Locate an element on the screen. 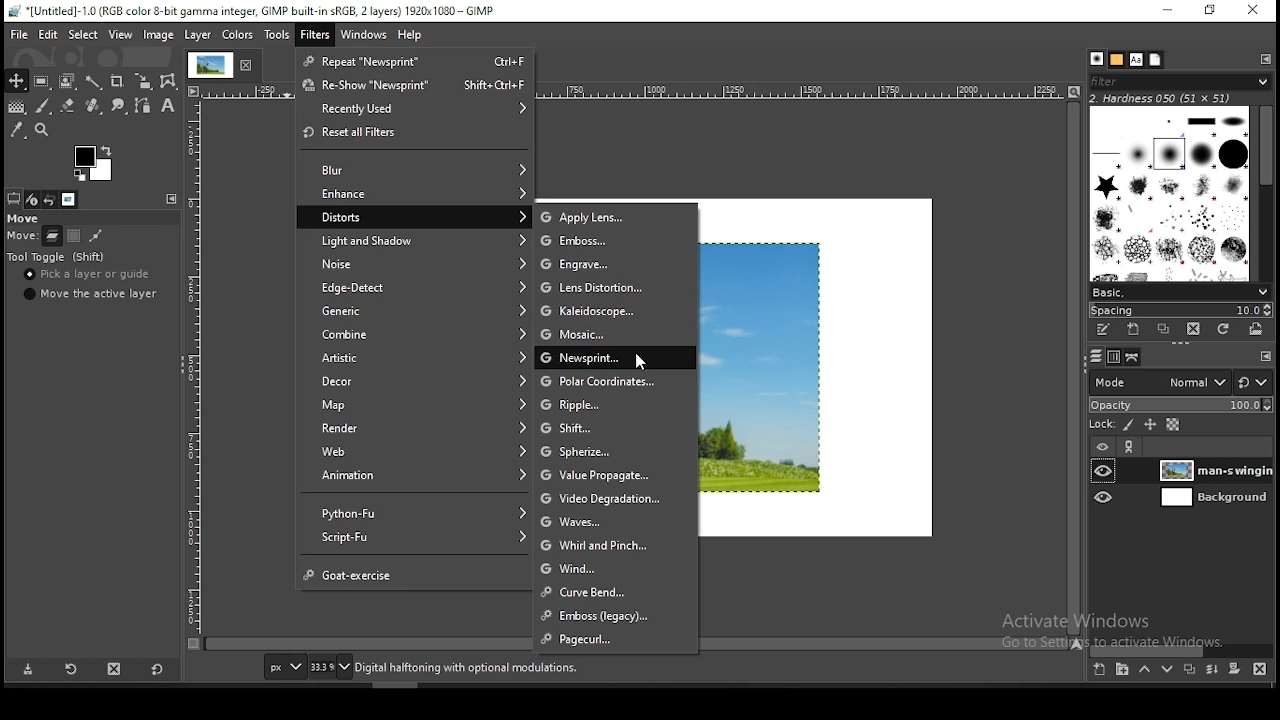 The width and height of the screenshot is (1280, 720). edit is located at coordinates (48, 36).